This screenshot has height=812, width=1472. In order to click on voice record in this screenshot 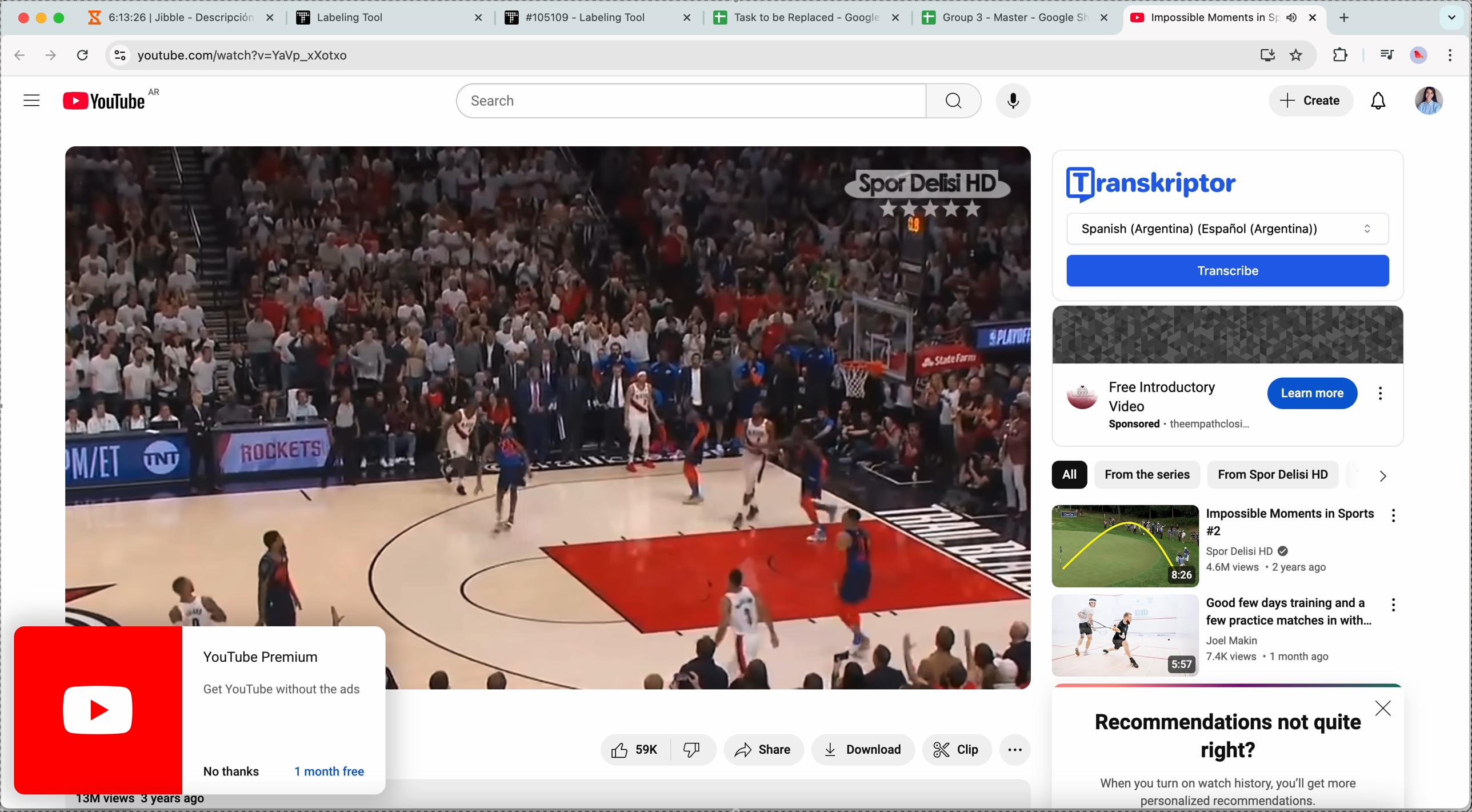, I will do `click(1014, 102)`.